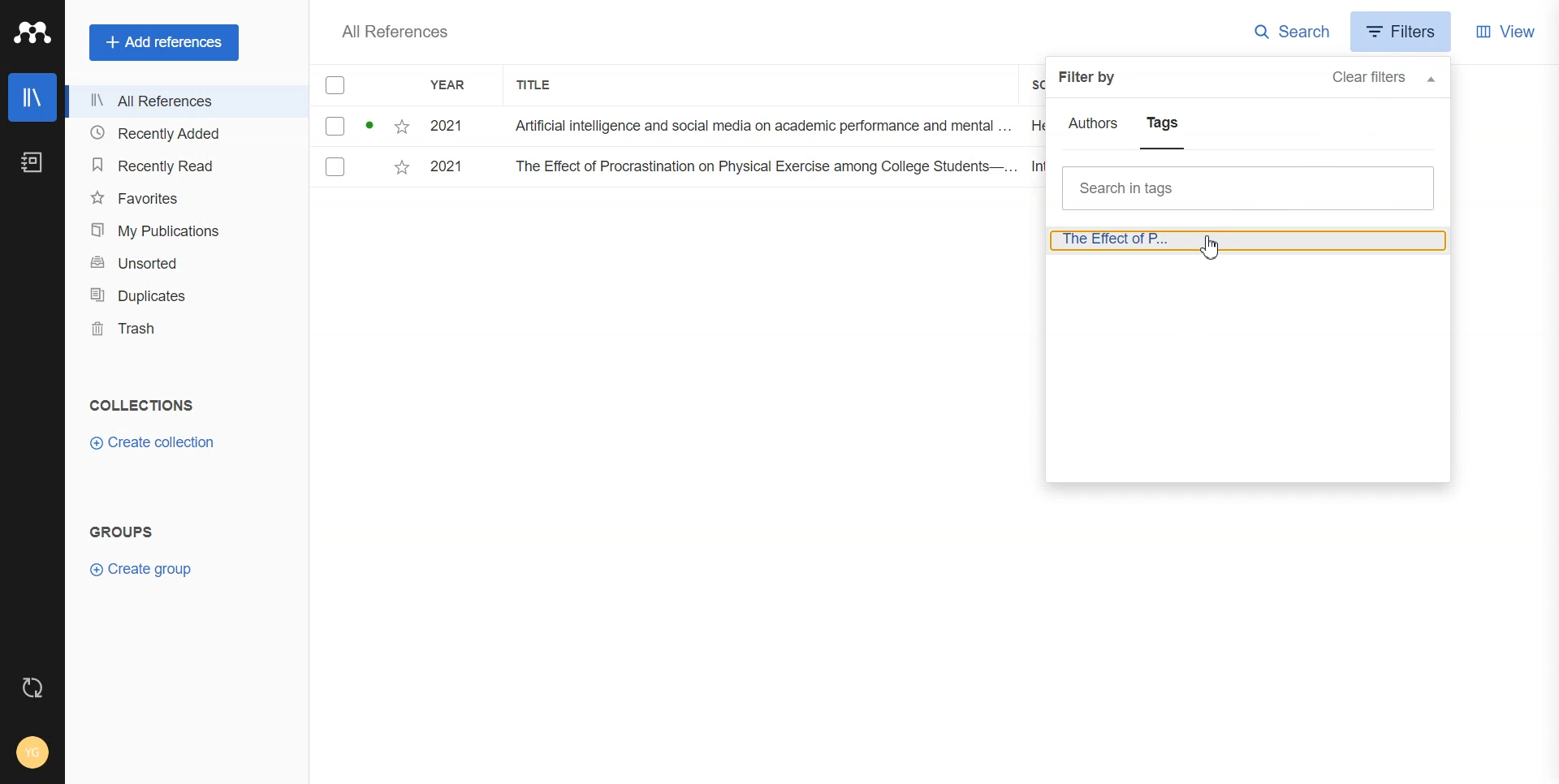 The width and height of the screenshot is (1559, 784). What do you see at coordinates (1092, 126) in the screenshot?
I see `Authors` at bounding box center [1092, 126].